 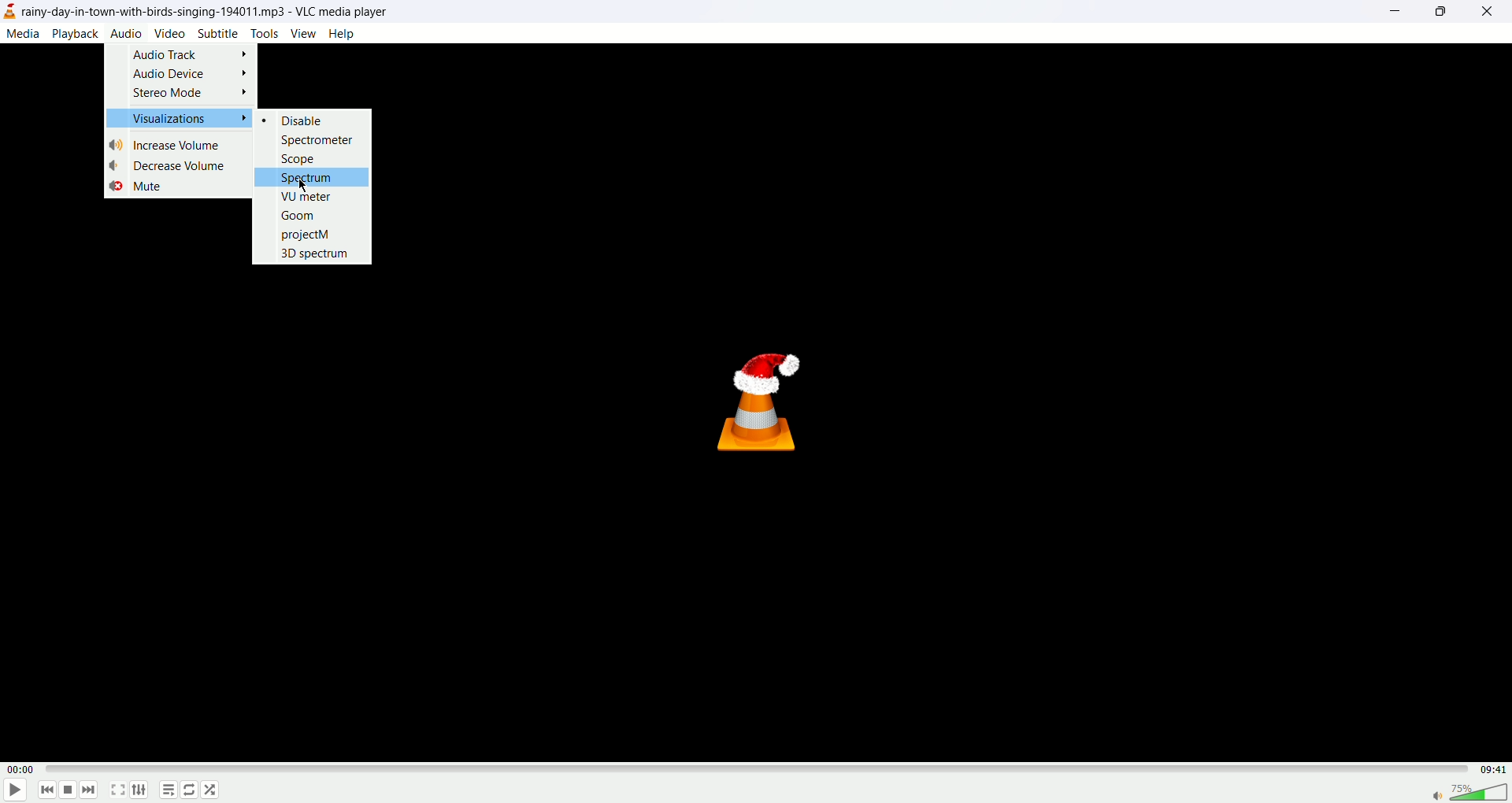 I want to click on played time, so click(x=20, y=770).